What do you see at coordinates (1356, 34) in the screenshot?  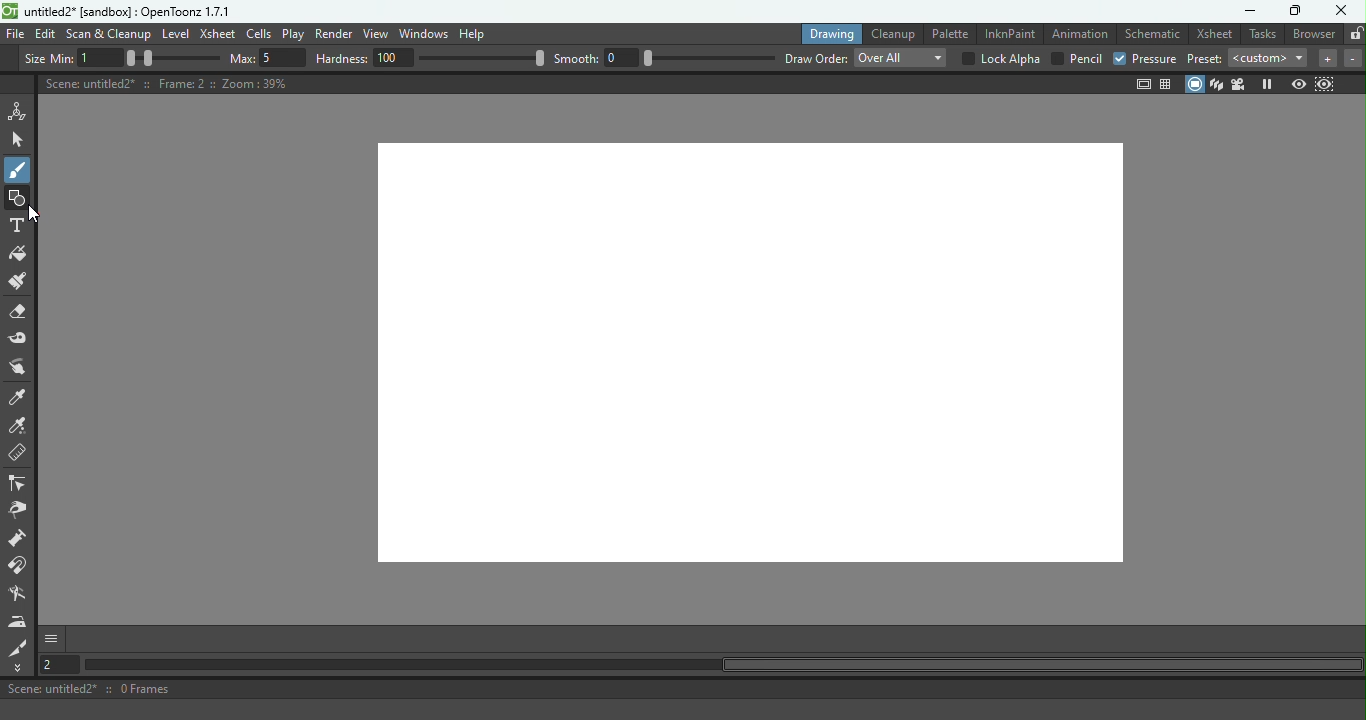 I see `Lock rooms tab` at bounding box center [1356, 34].